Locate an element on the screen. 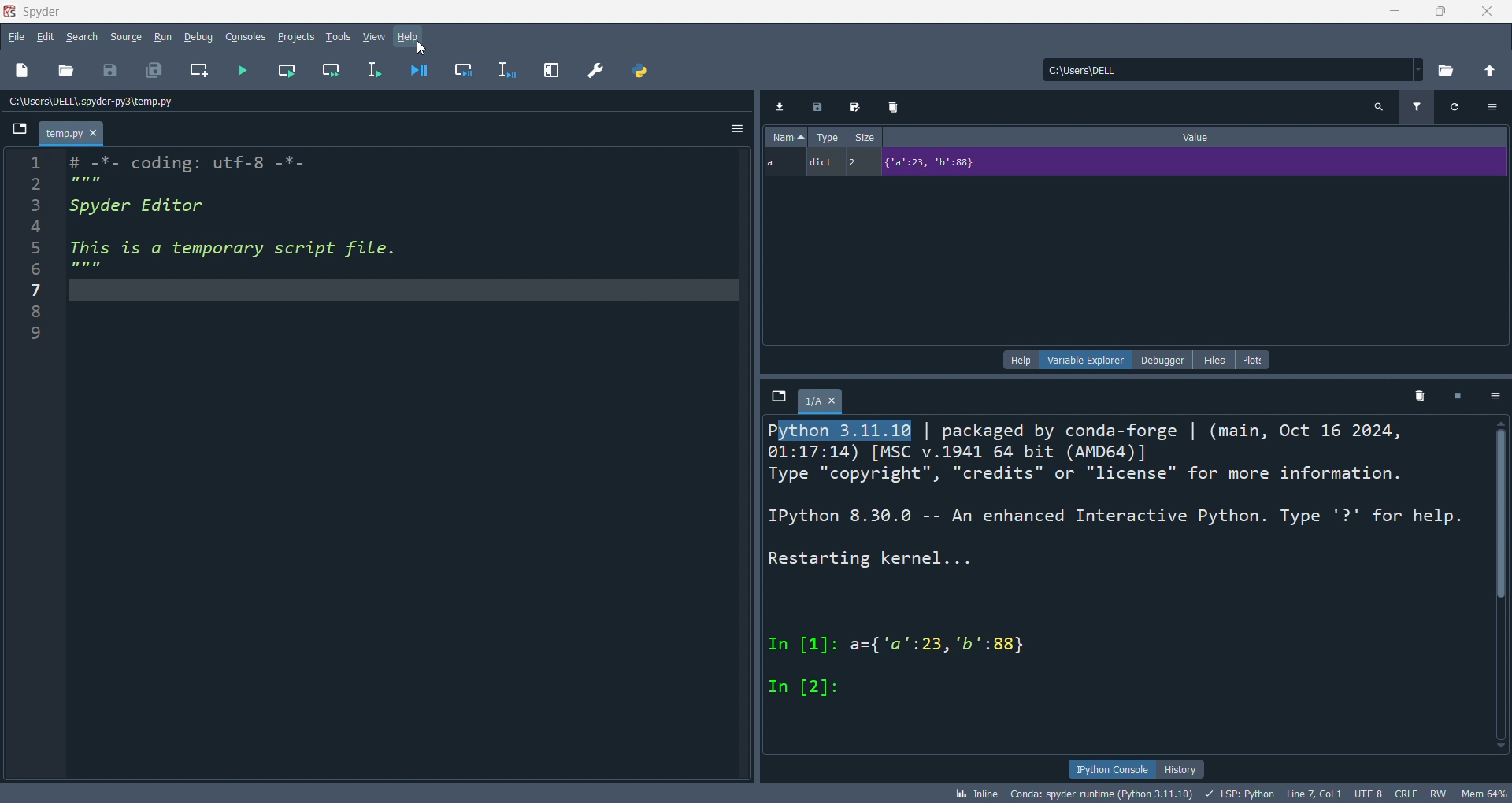 The width and height of the screenshot is (1512, 803). Settings is located at coordinates (736, 128).